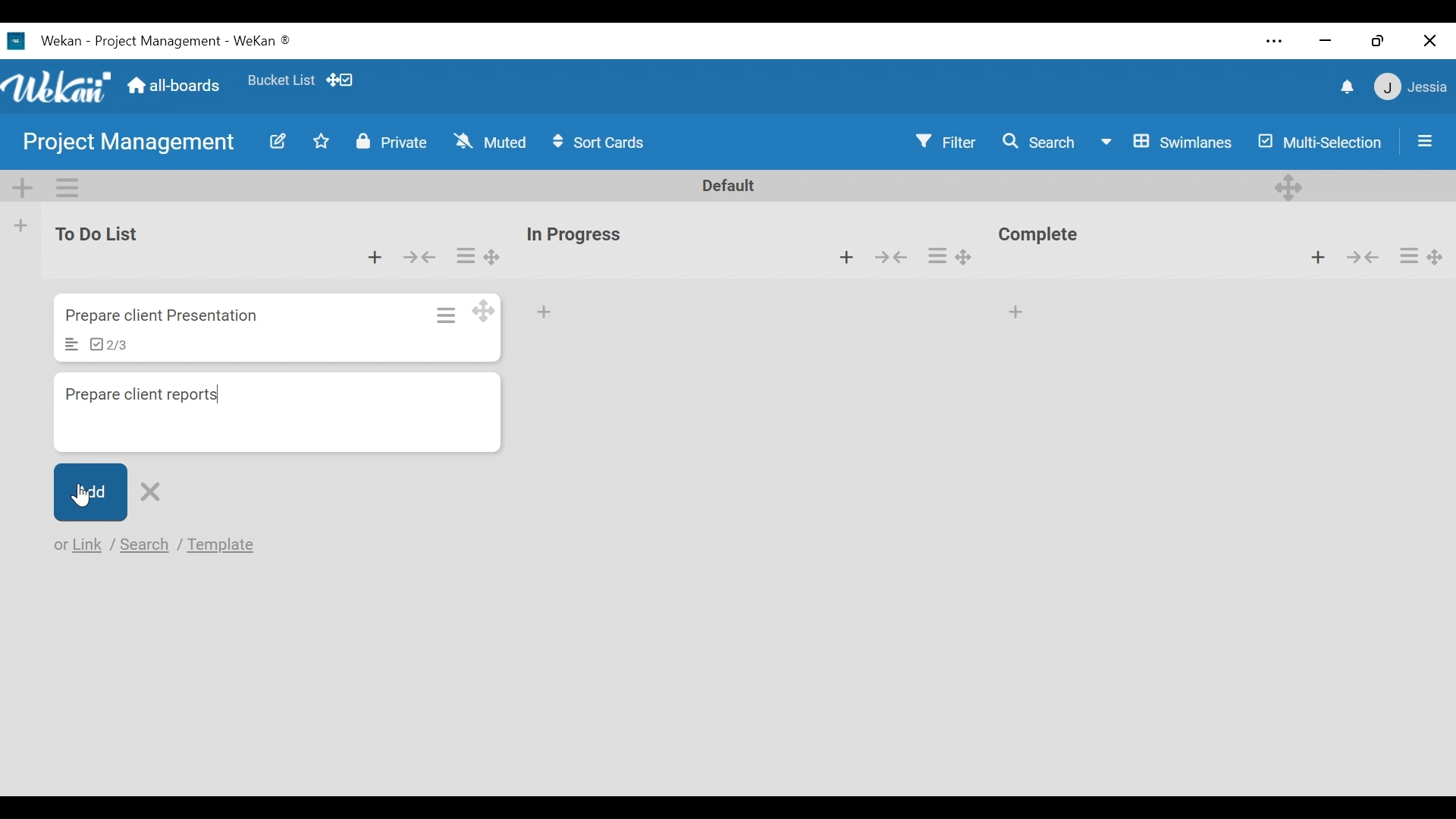  Describe the element at coordinates (102, 234) in the screenshot. I see `to do list` at that location.